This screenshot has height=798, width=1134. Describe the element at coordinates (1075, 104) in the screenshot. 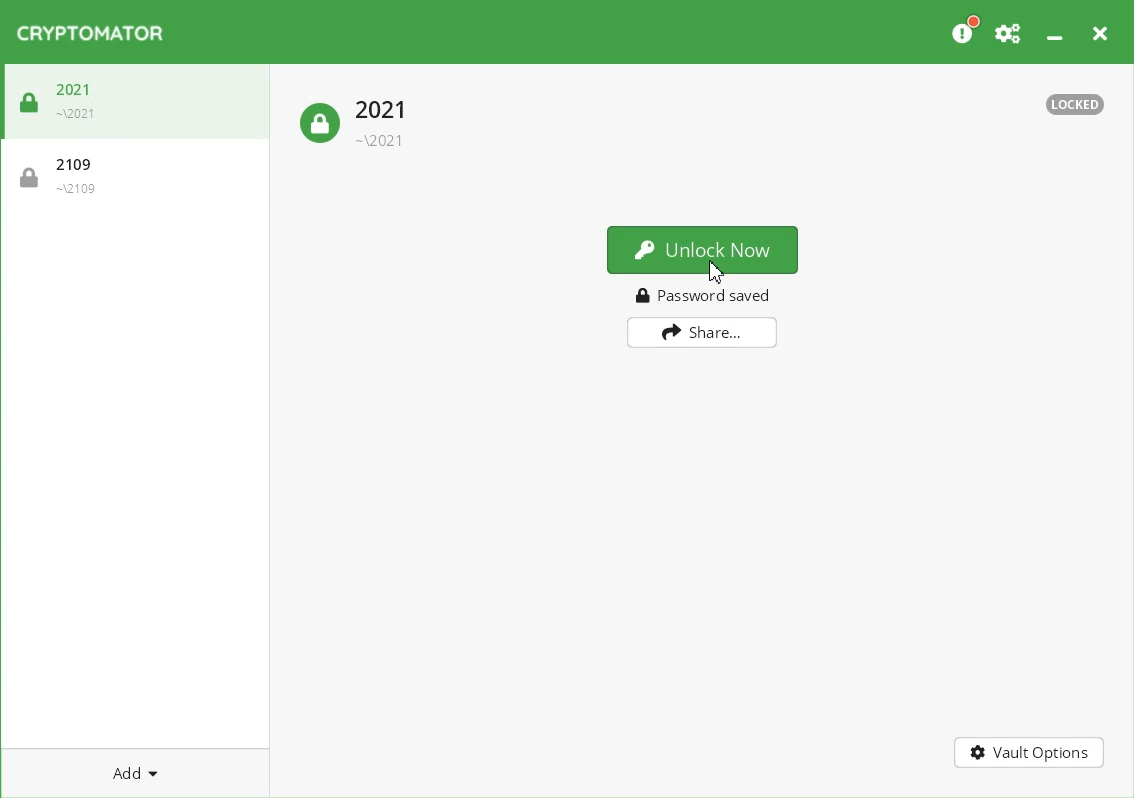

I see `Locked` at that location.